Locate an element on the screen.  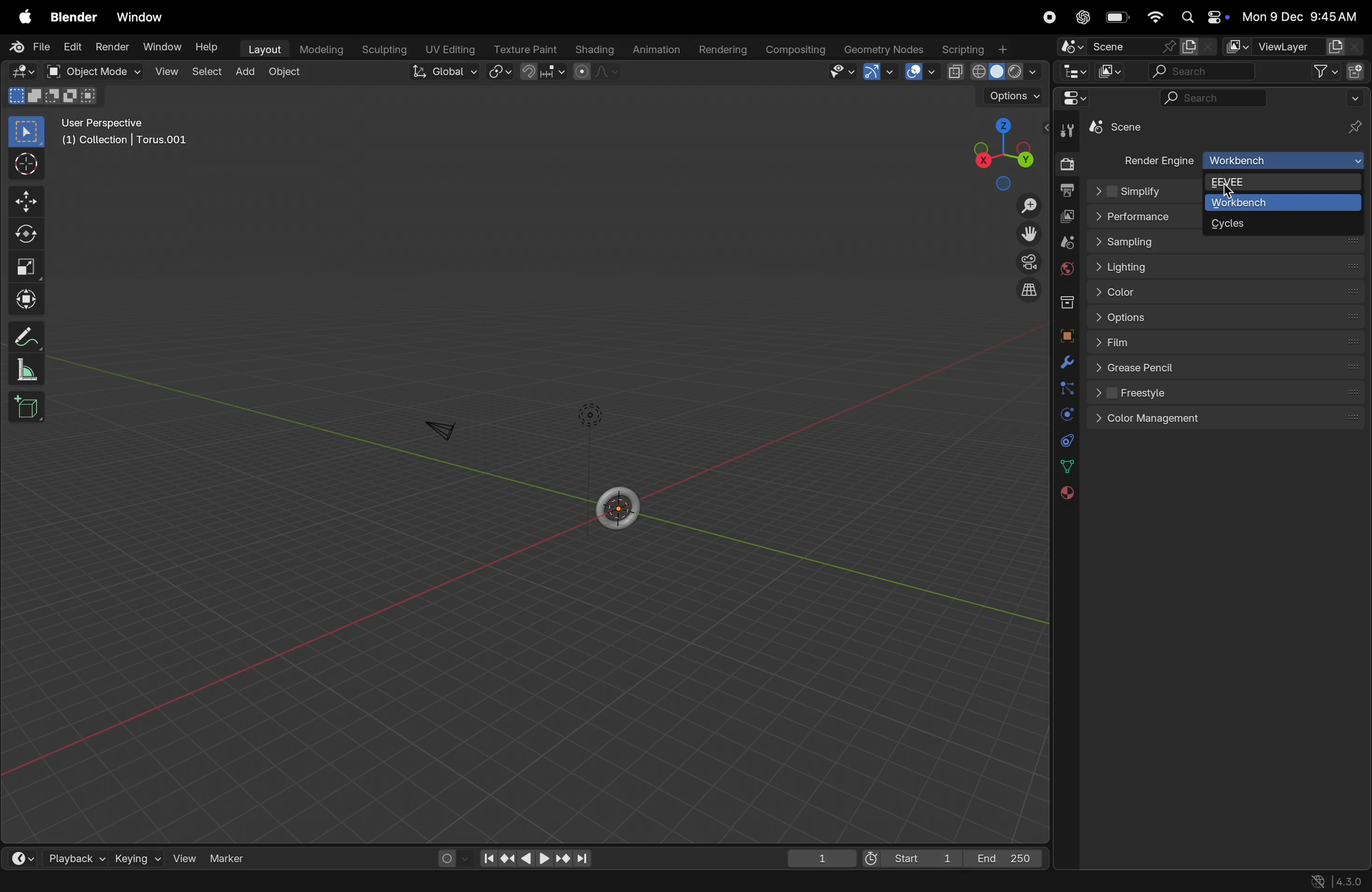
particles  is located at coordinates (1063, 390).